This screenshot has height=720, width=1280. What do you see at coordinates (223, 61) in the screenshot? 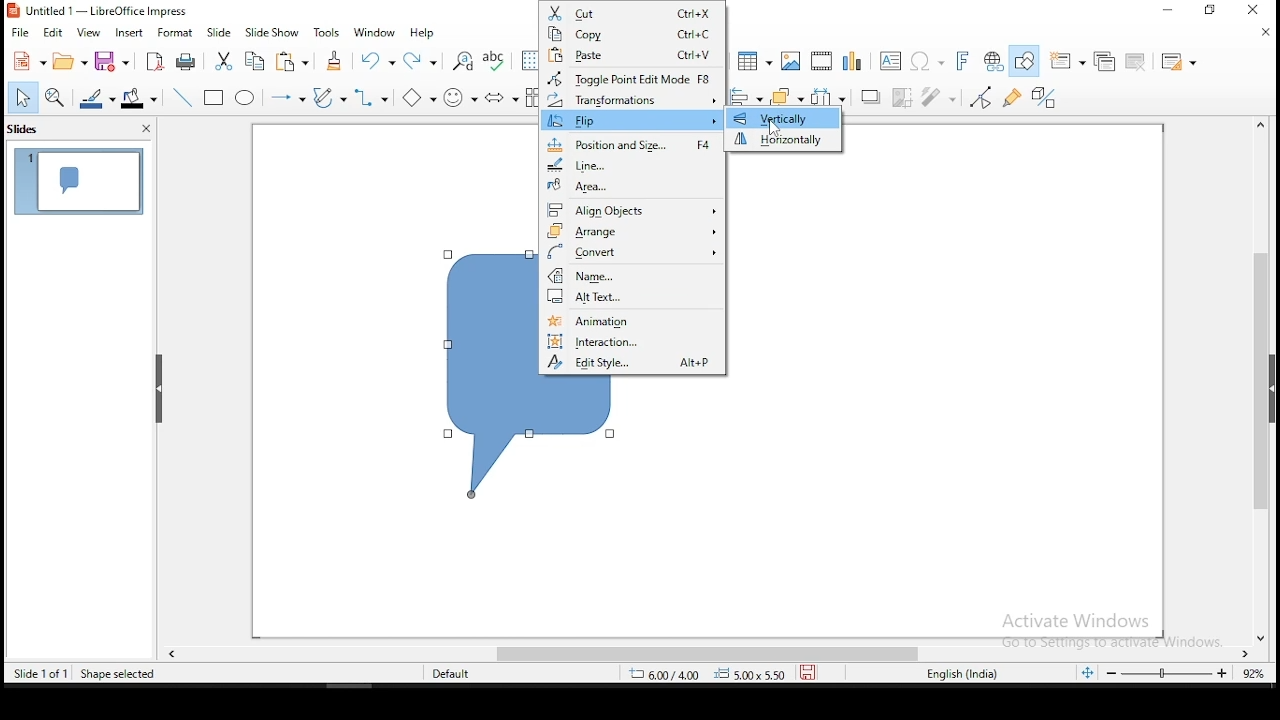
I see `cut` at bounding box center [223, 61].